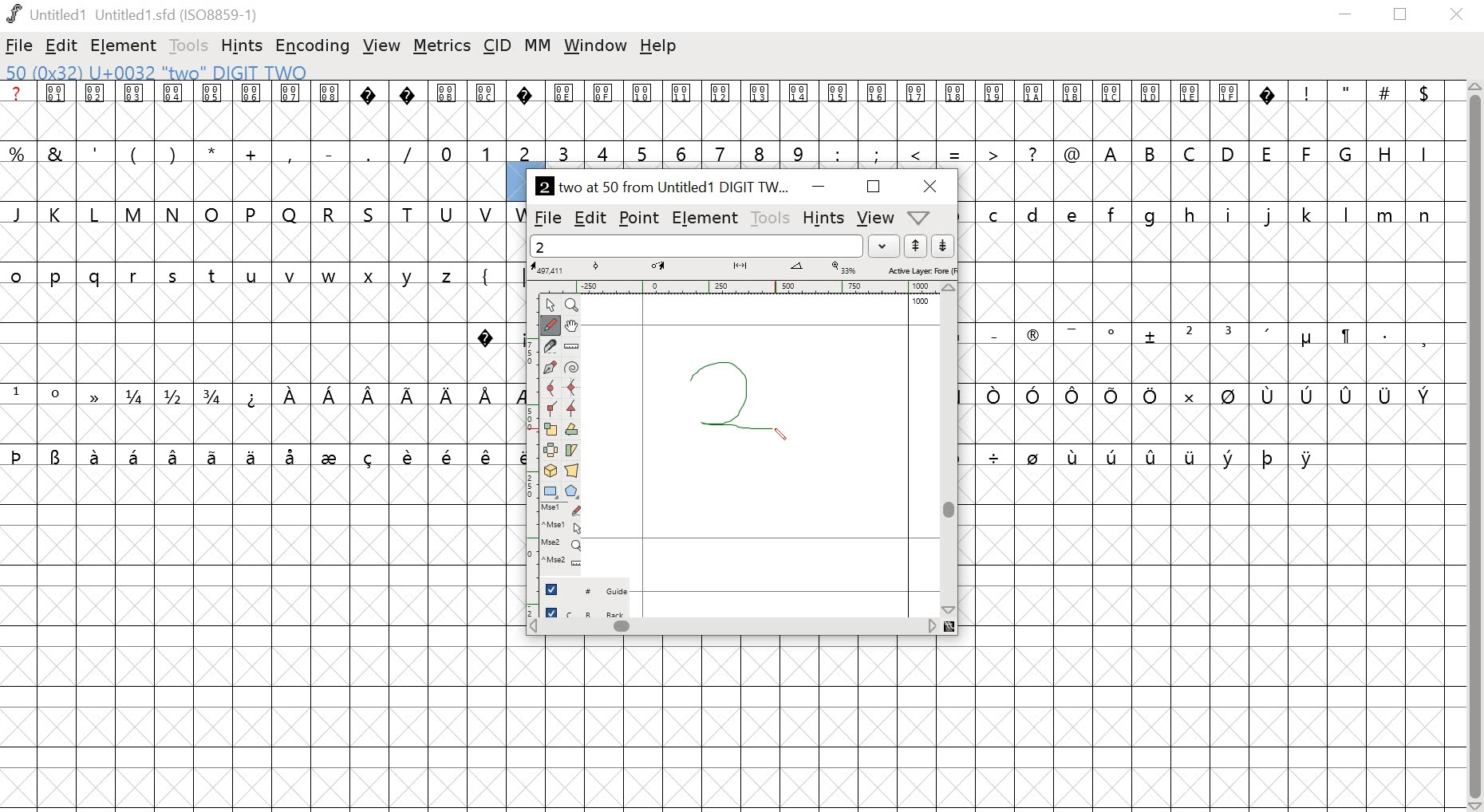  I want to click on pen, so click(551, 368).